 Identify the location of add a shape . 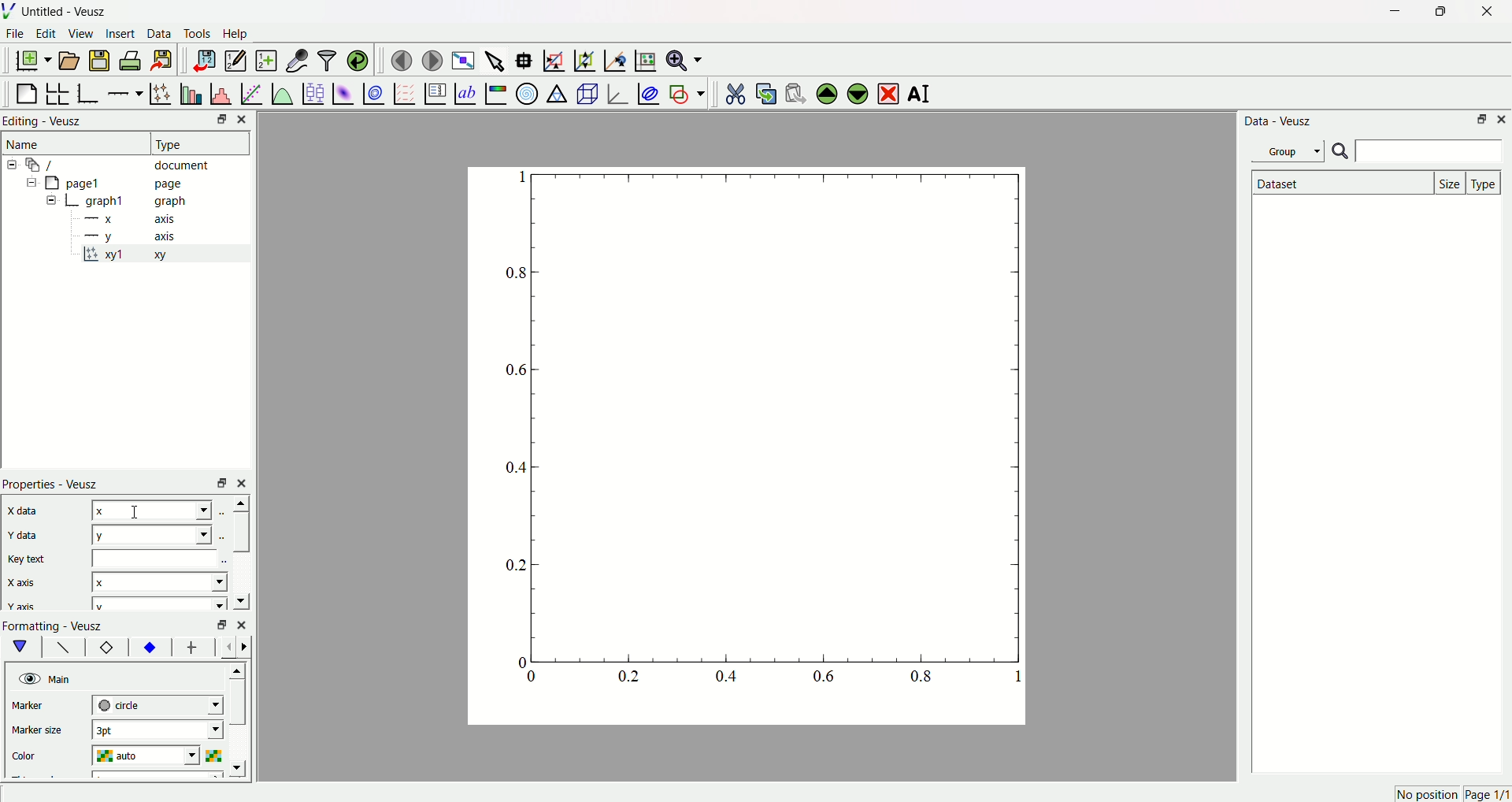
(686, 93).